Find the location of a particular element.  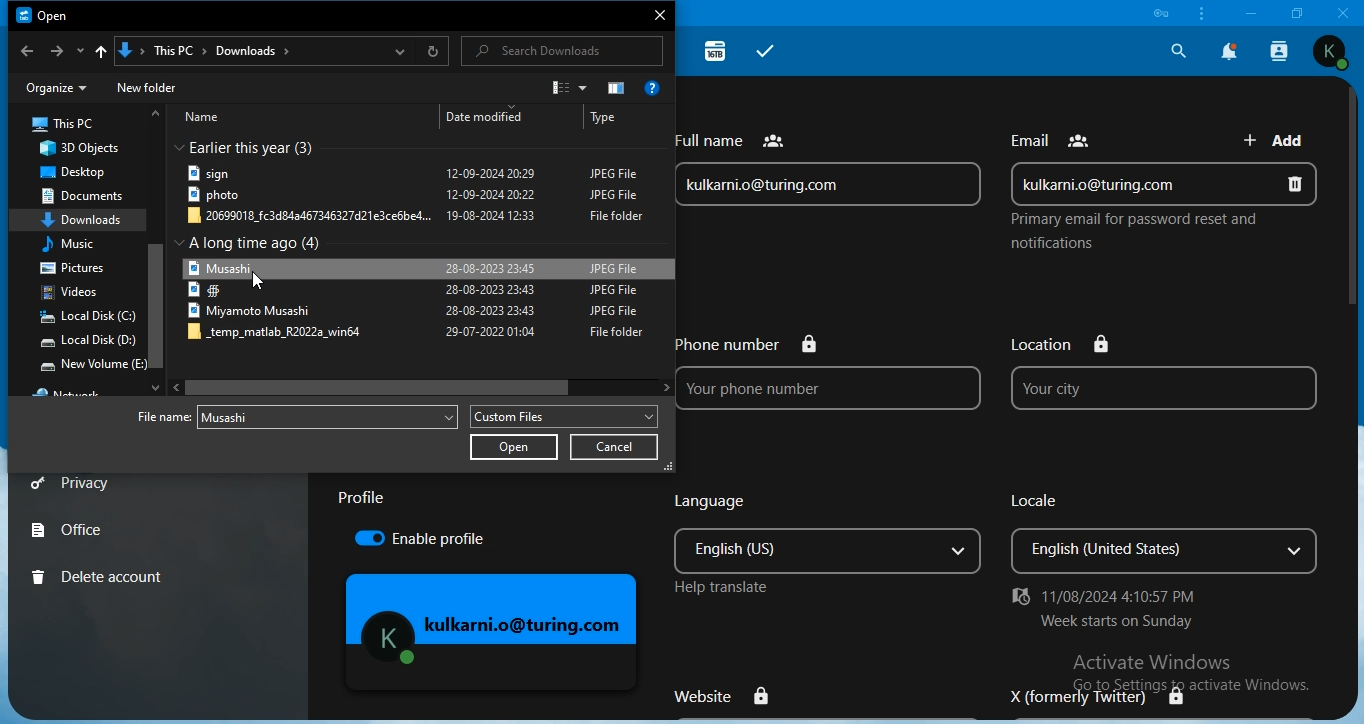

16TB is located at coordinates (717, 50).